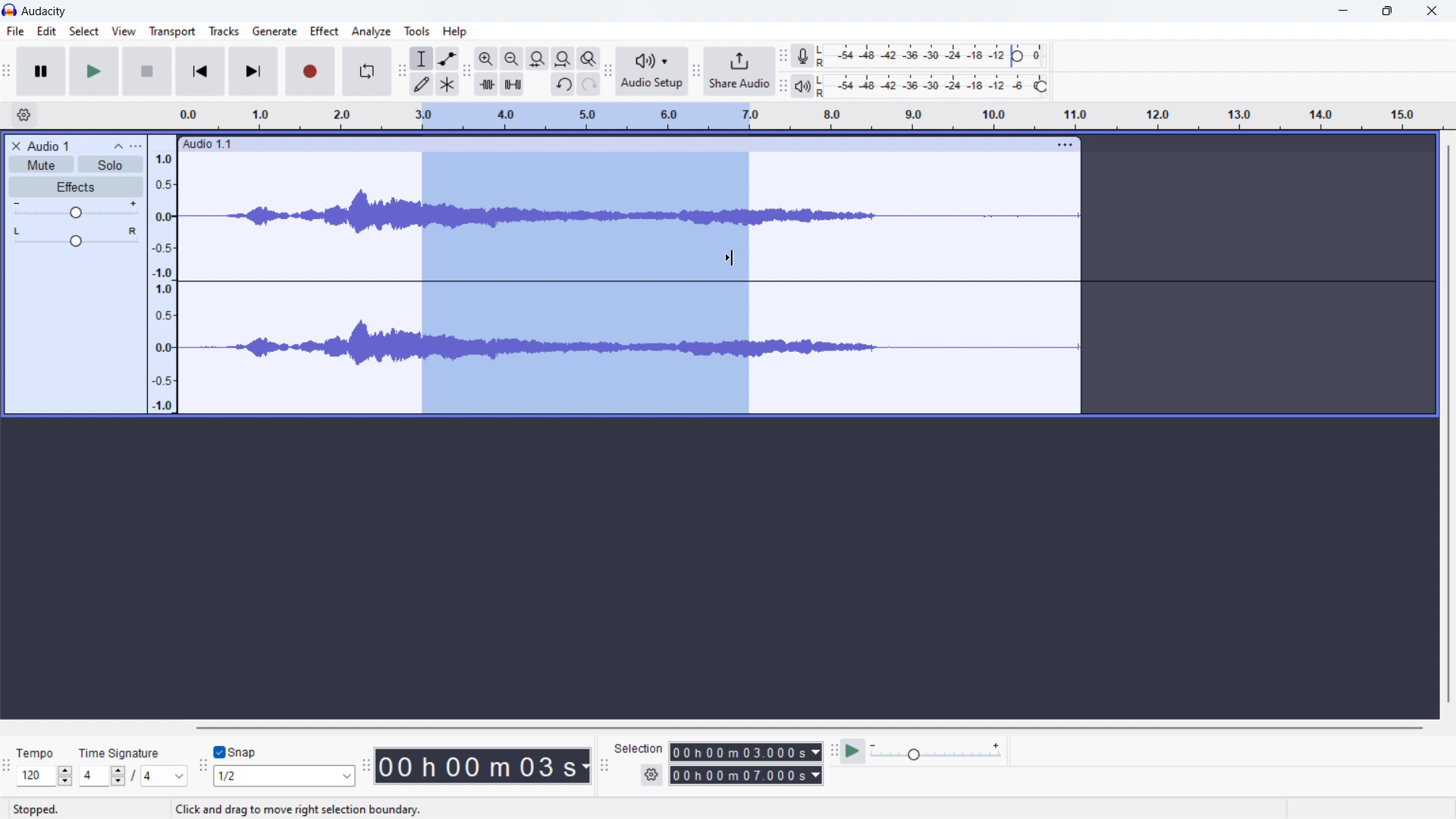 This screenshot has width=1456, height=819. I want to click on skip to start, so click(199, 72).